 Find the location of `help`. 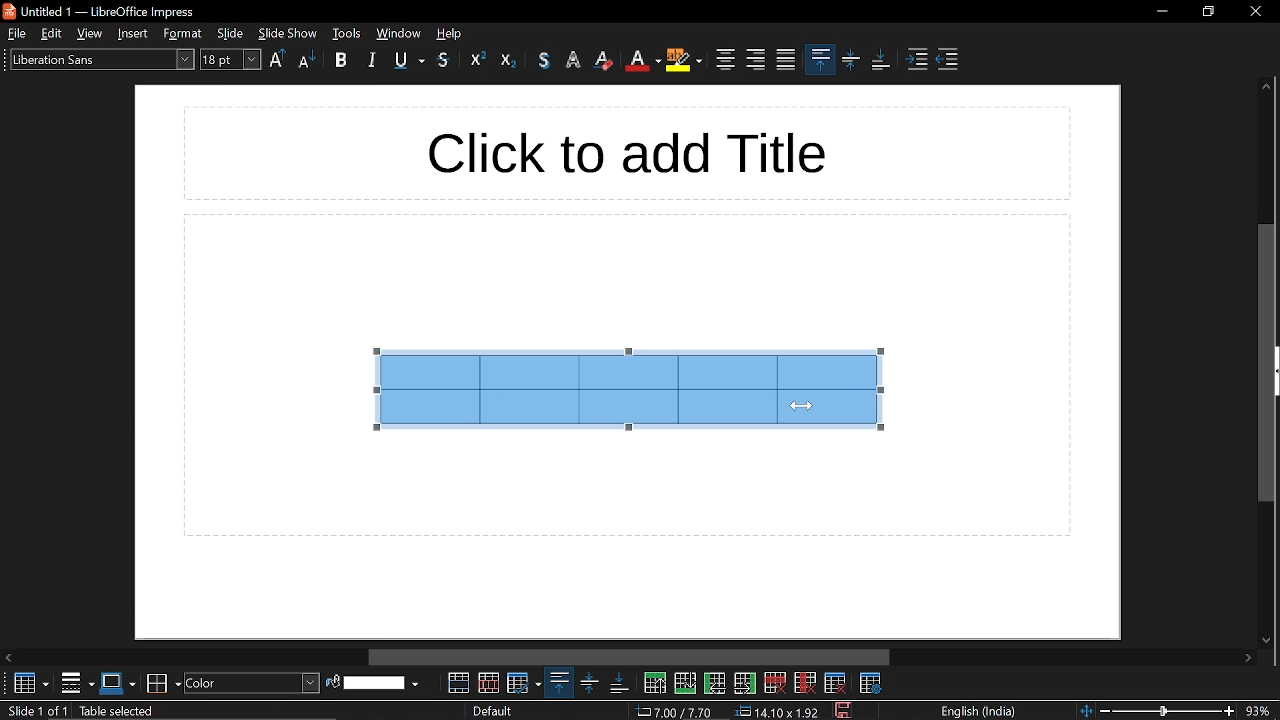

help is located at coordinates (451, 34).